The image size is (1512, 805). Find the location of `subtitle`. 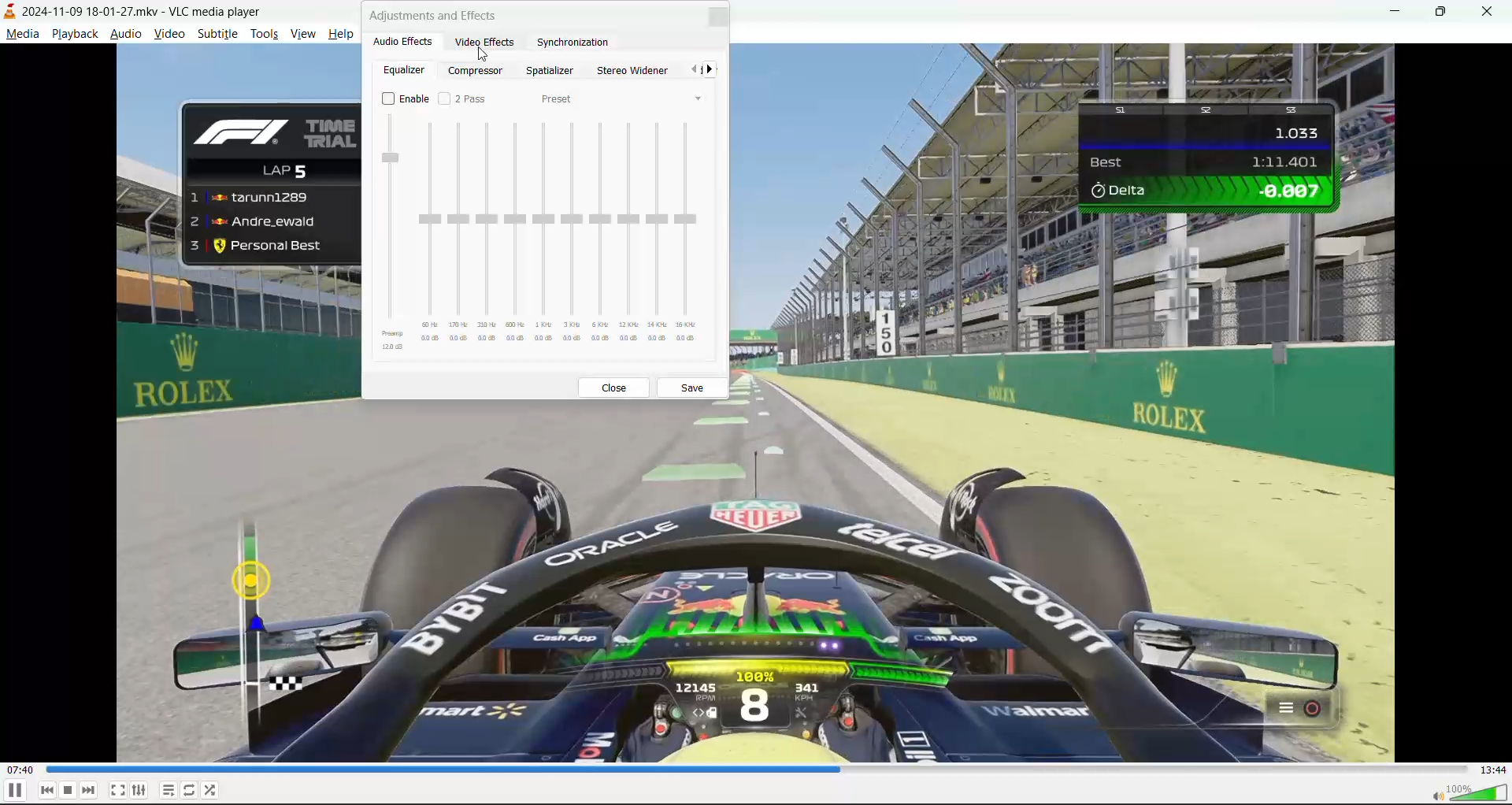

subtitle is located at coordinates (217, 35).